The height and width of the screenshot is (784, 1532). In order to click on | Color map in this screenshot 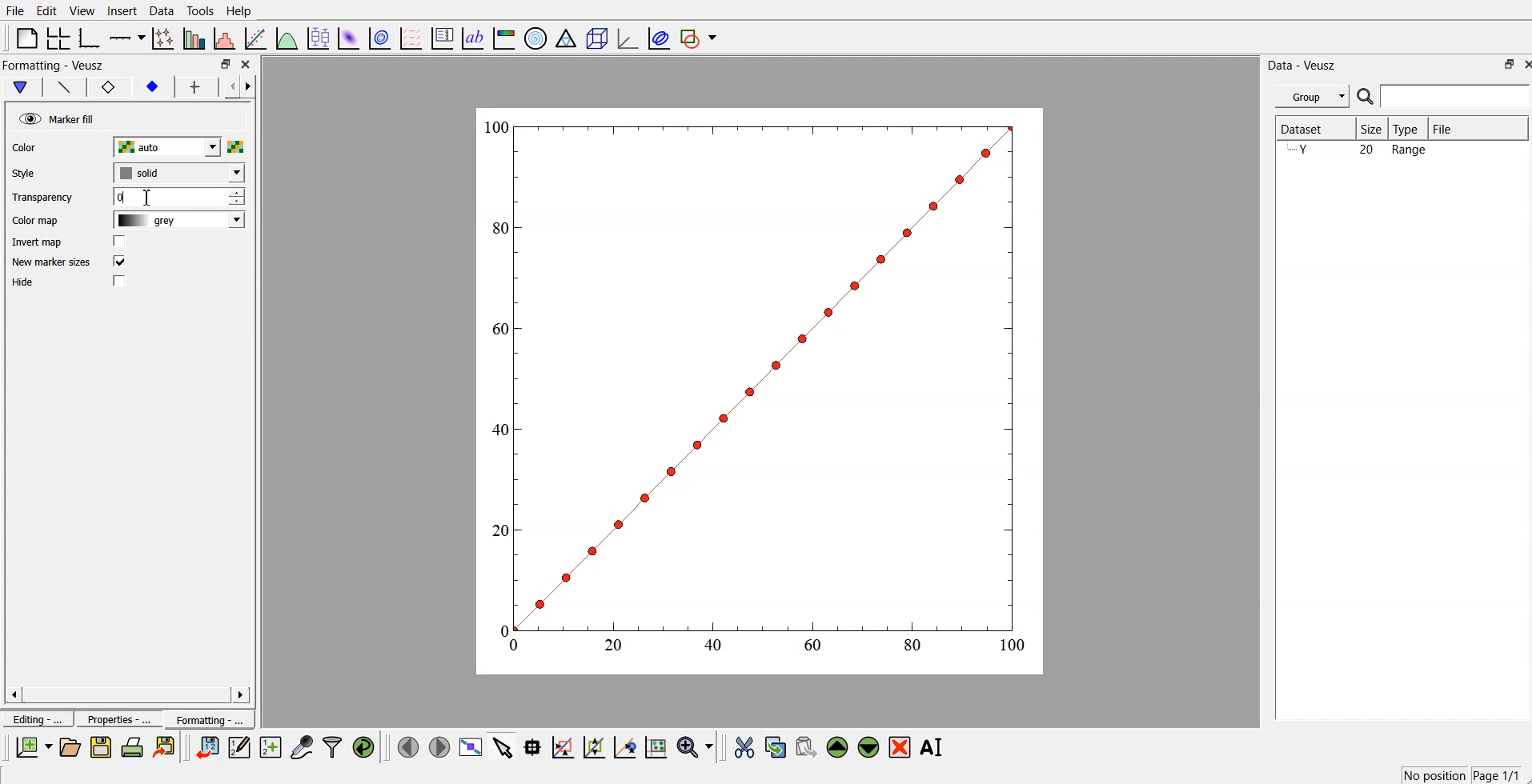, I will do `click(34, 222)`.